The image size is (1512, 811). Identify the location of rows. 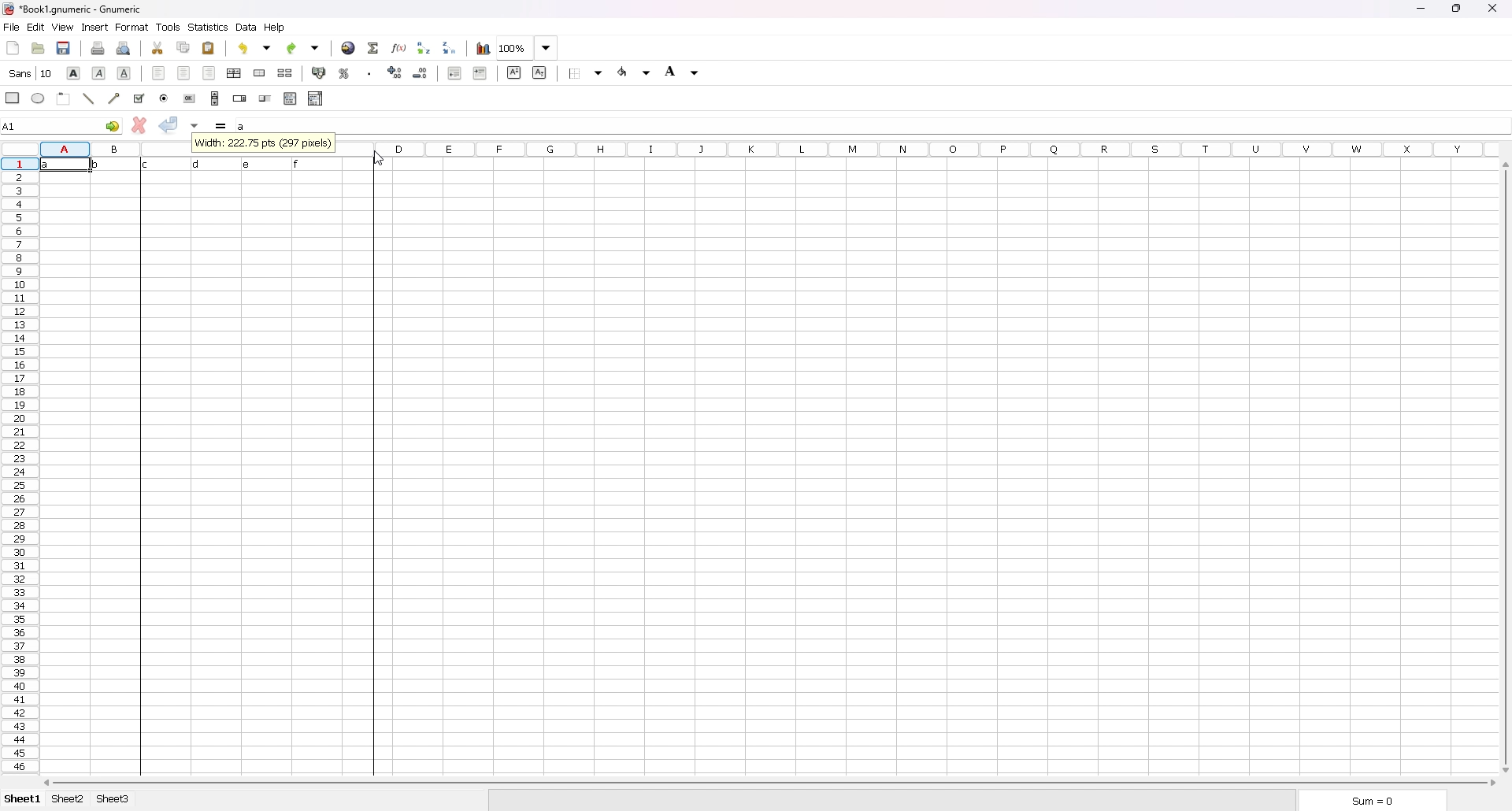
(17, 465).